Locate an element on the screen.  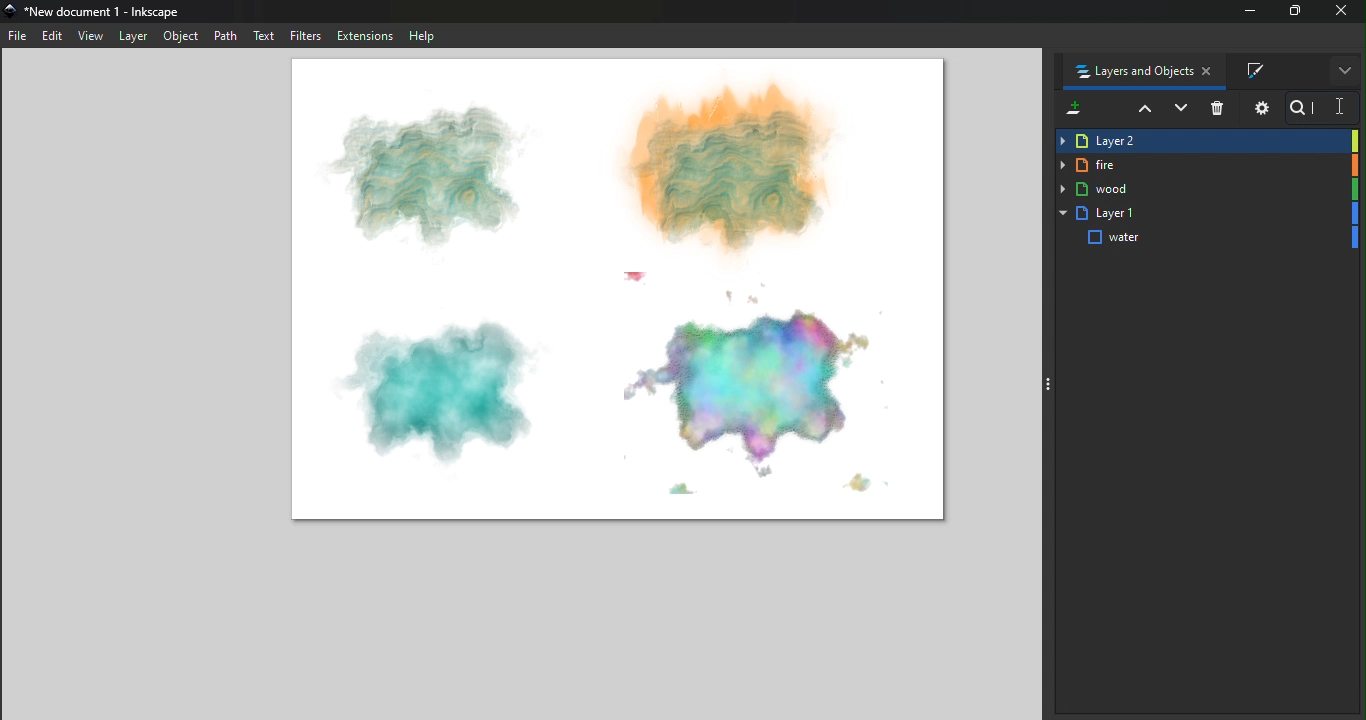
Raise selection on step is located at coordinates (1141, 109).